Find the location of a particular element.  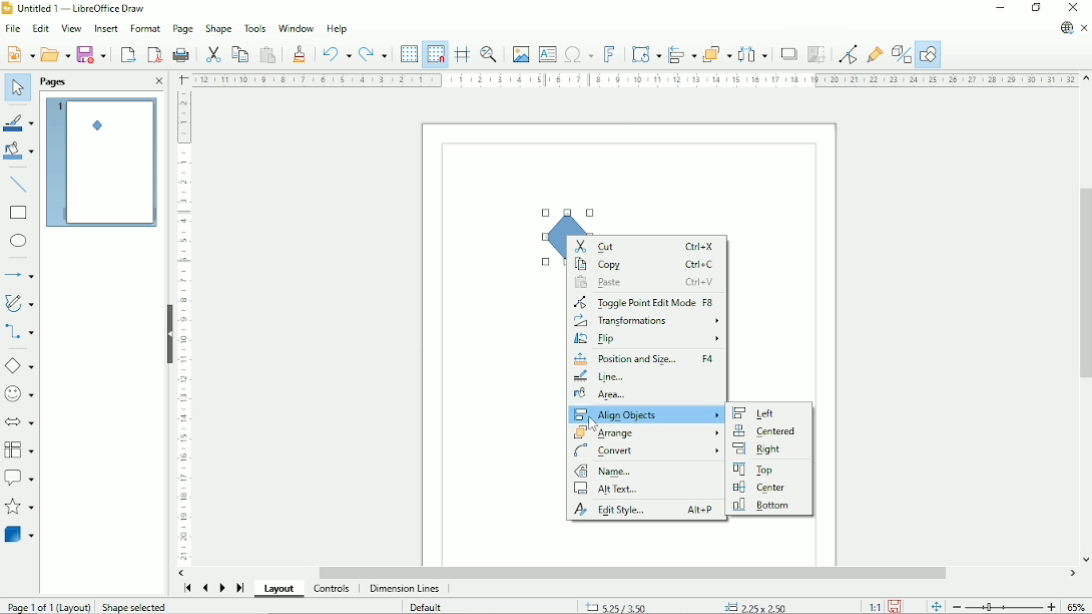

Vertical scrollbar is located at coordinates (1083, 284).